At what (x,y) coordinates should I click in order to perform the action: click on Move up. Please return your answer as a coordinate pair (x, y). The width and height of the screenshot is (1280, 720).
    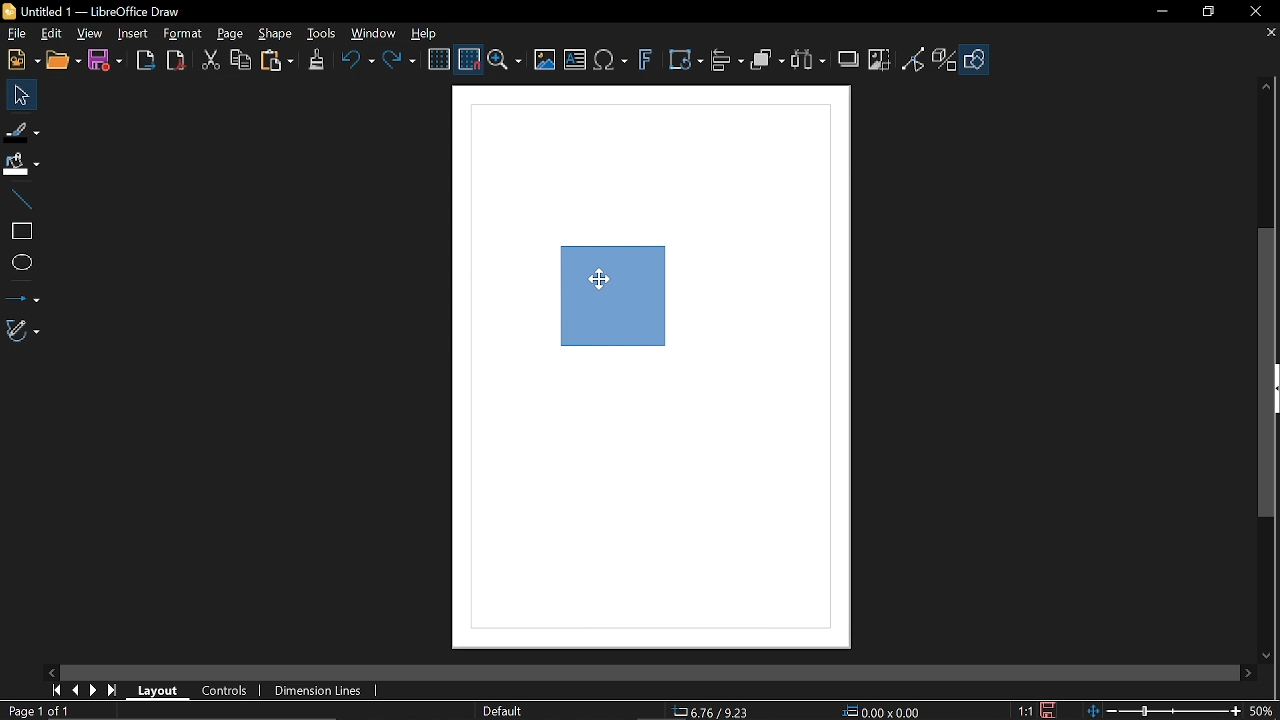
    Looking at the image, I should click on (1267, 87).